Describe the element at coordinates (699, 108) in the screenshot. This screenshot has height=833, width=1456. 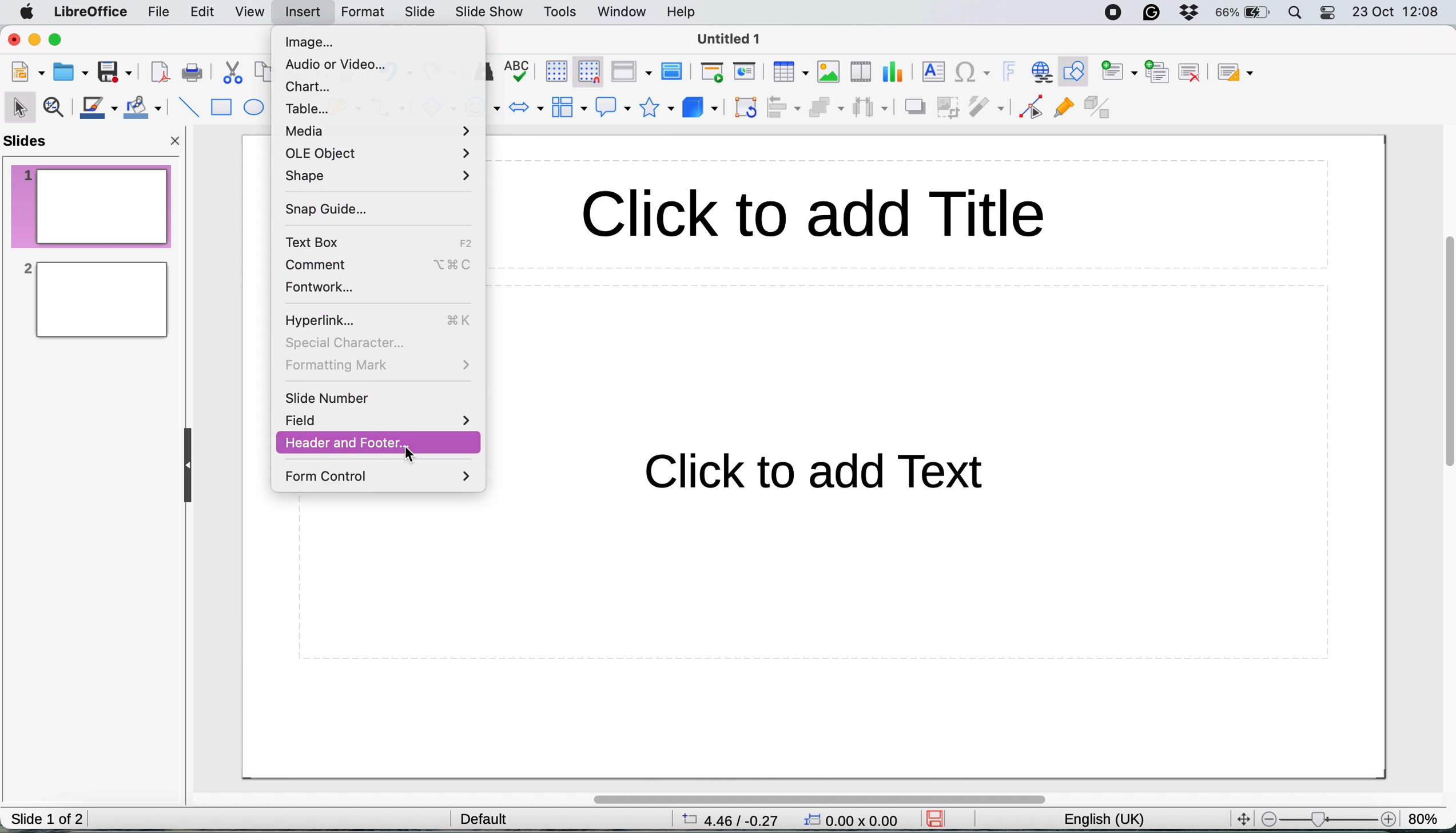
I see `3d objects` at that location.